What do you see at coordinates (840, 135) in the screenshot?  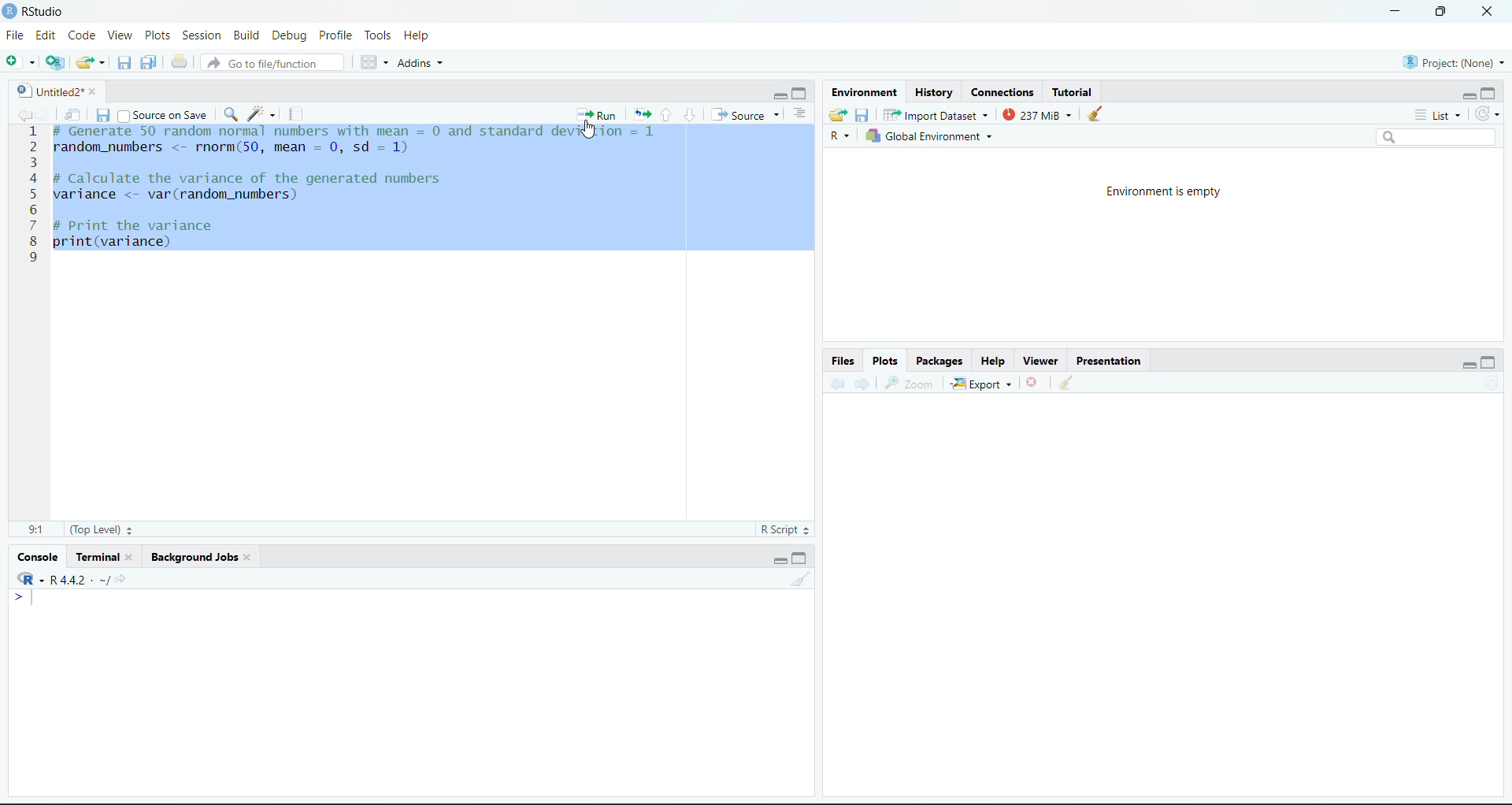 I see `R` at bounding box center [840, 135].